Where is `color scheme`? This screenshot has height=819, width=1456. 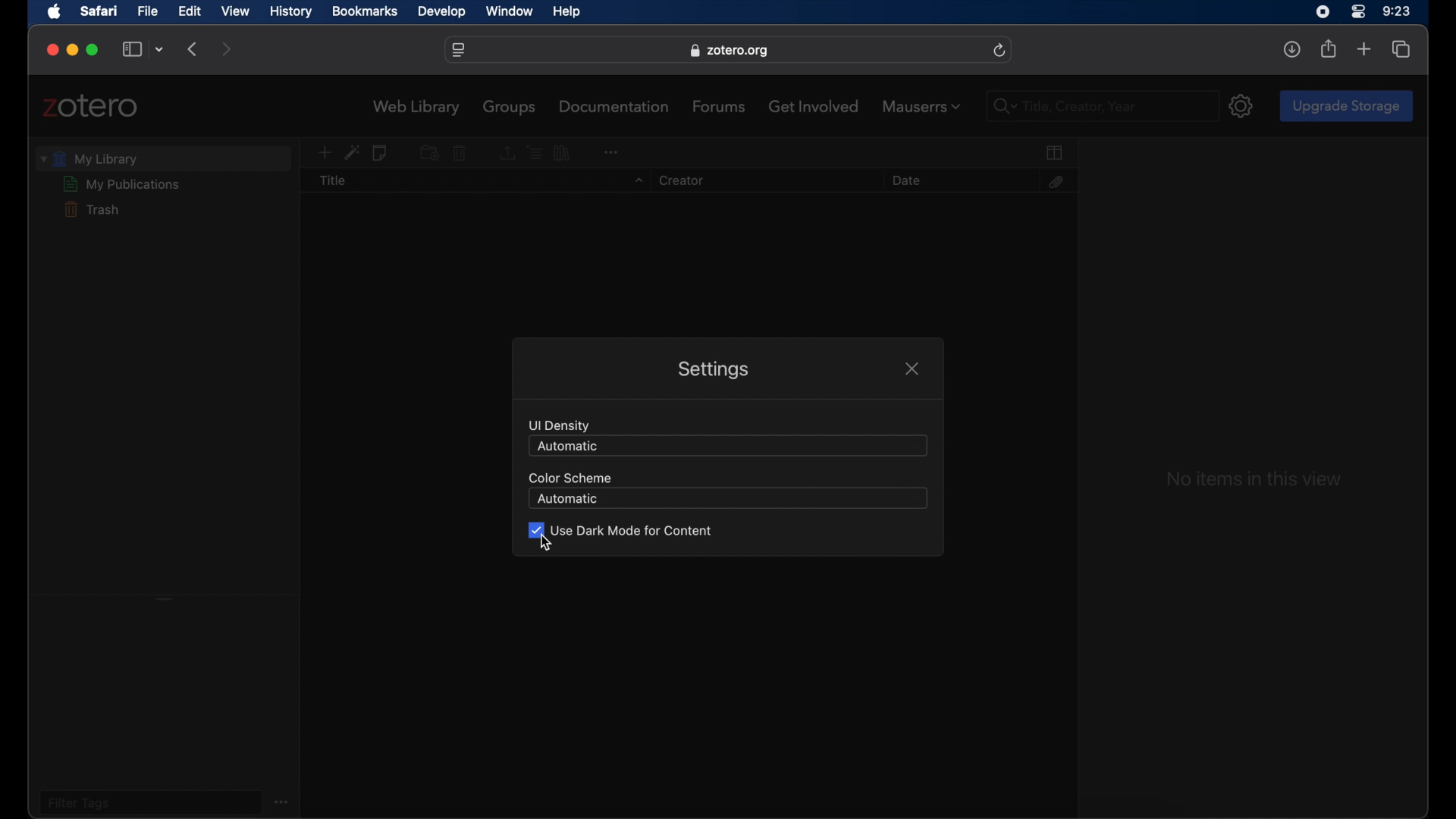
color scheme is located at coordinates (568, 477).